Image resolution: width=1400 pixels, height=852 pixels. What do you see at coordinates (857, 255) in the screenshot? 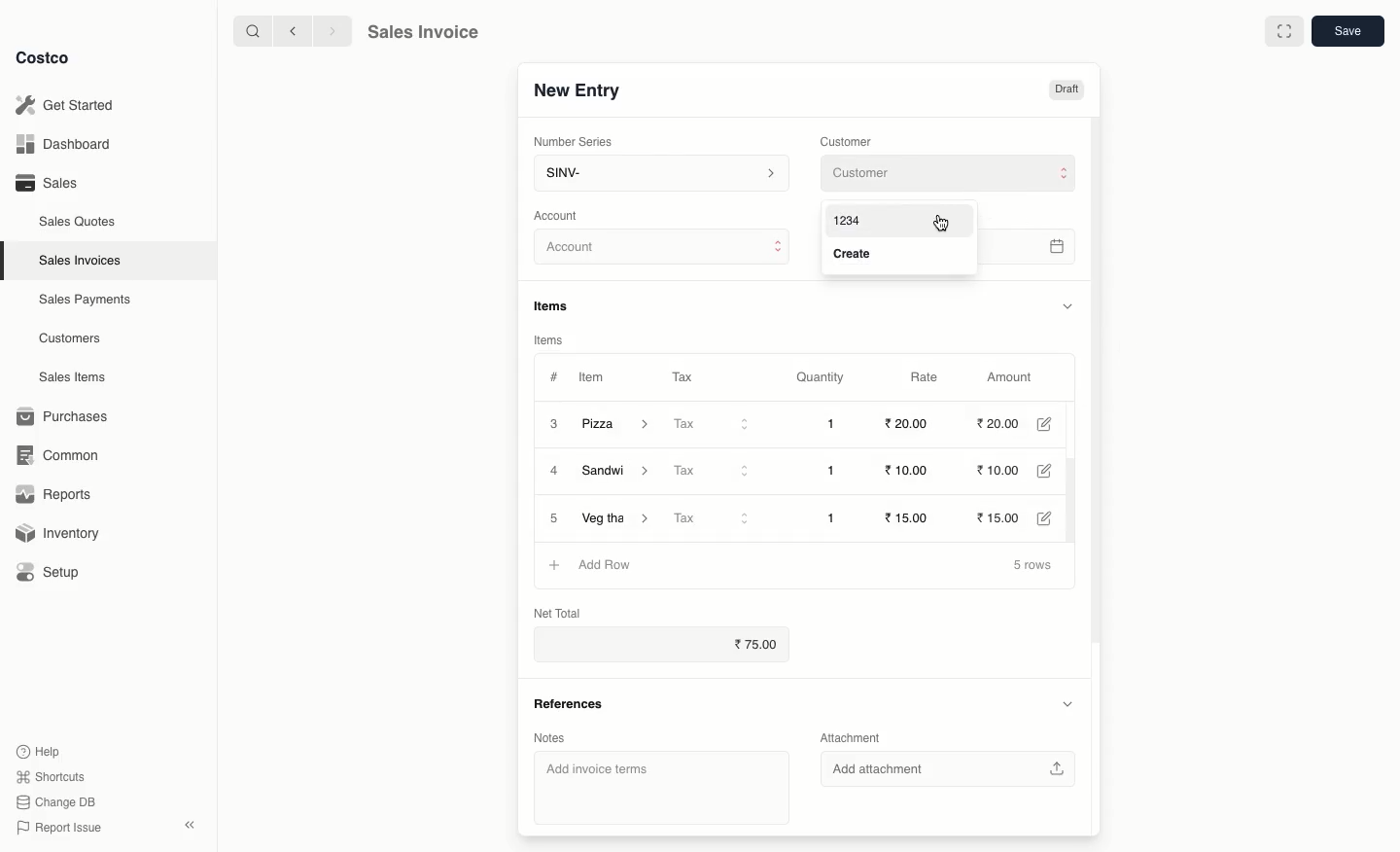
I see `Create` at bounding box center [857, 255].